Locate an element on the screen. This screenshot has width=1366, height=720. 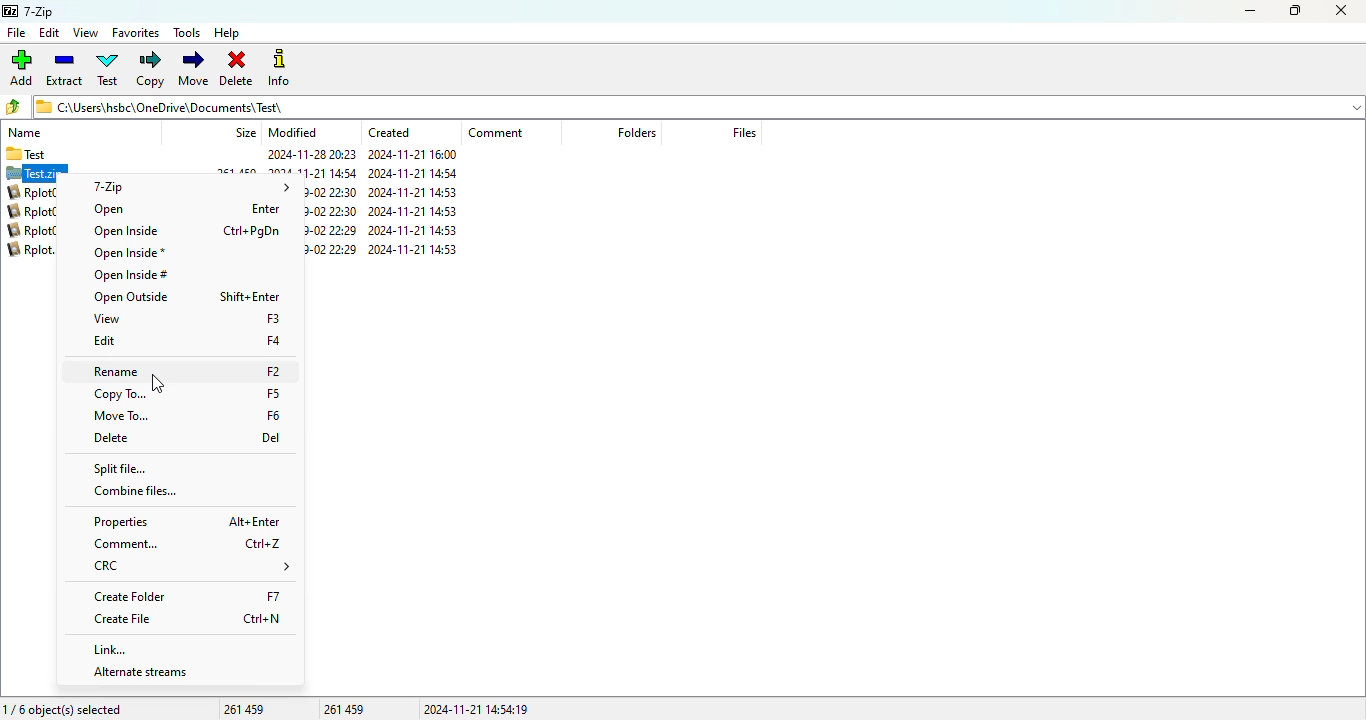
261 459 is located at coordinates (244, 708).